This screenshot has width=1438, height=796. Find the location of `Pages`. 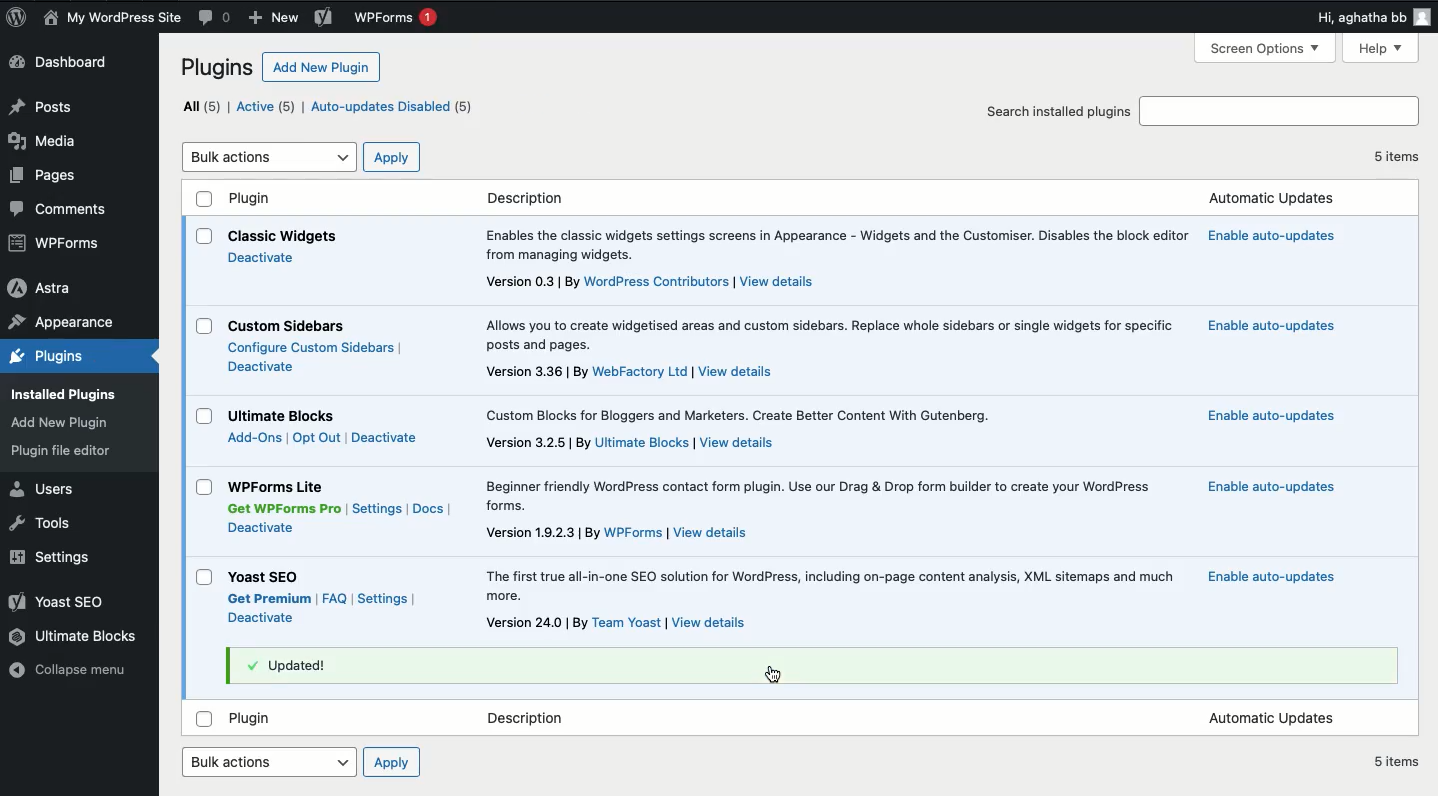

Pages is located at coordinates (47, 176).